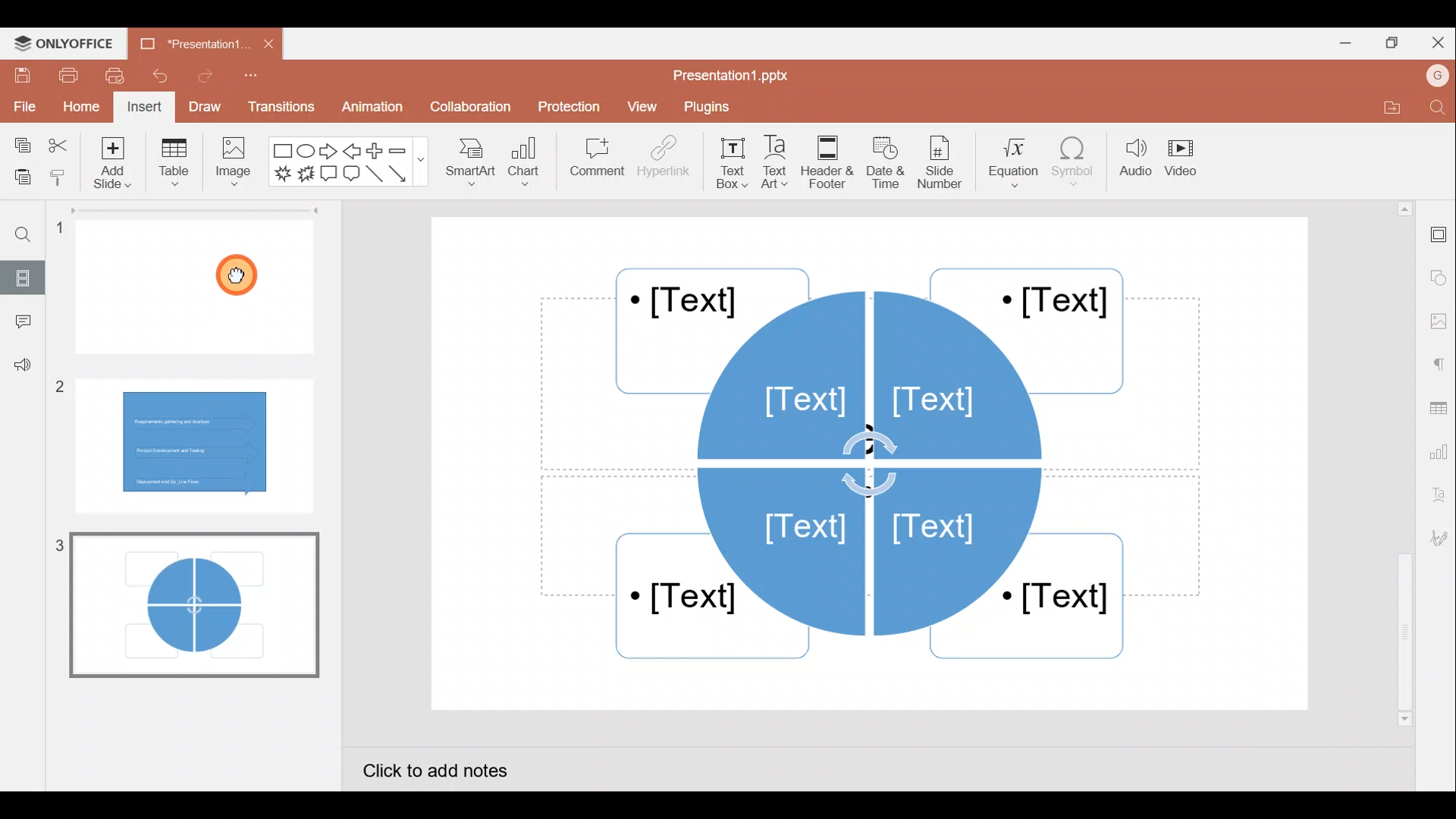  What do you see at coordinates (31, 237) in the screenshot?
I see `Find` at bounding box center [31, 237].